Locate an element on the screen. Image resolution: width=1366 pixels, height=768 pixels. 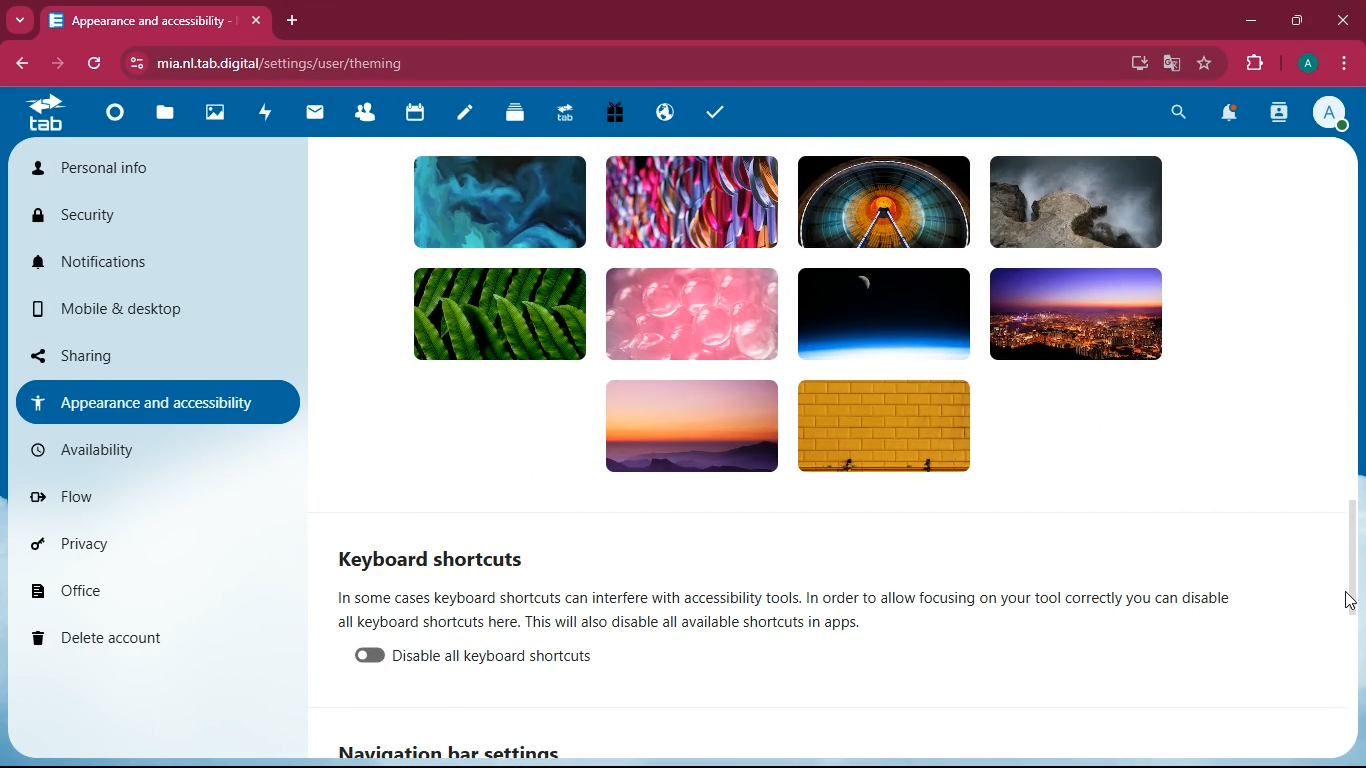
tab is located at coordinates (154, 16).